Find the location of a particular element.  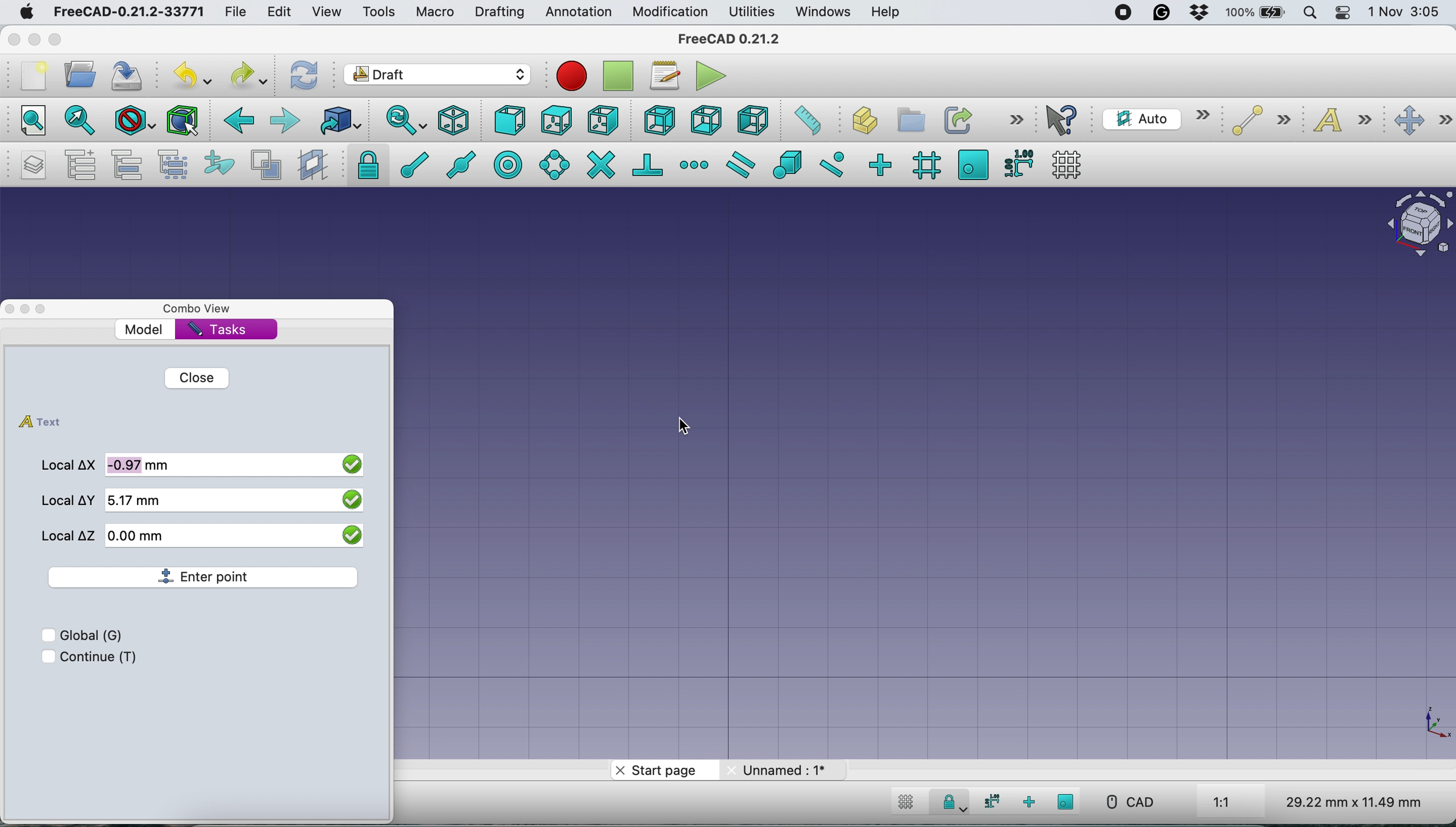

freecad is located at coordinates (735, 40).